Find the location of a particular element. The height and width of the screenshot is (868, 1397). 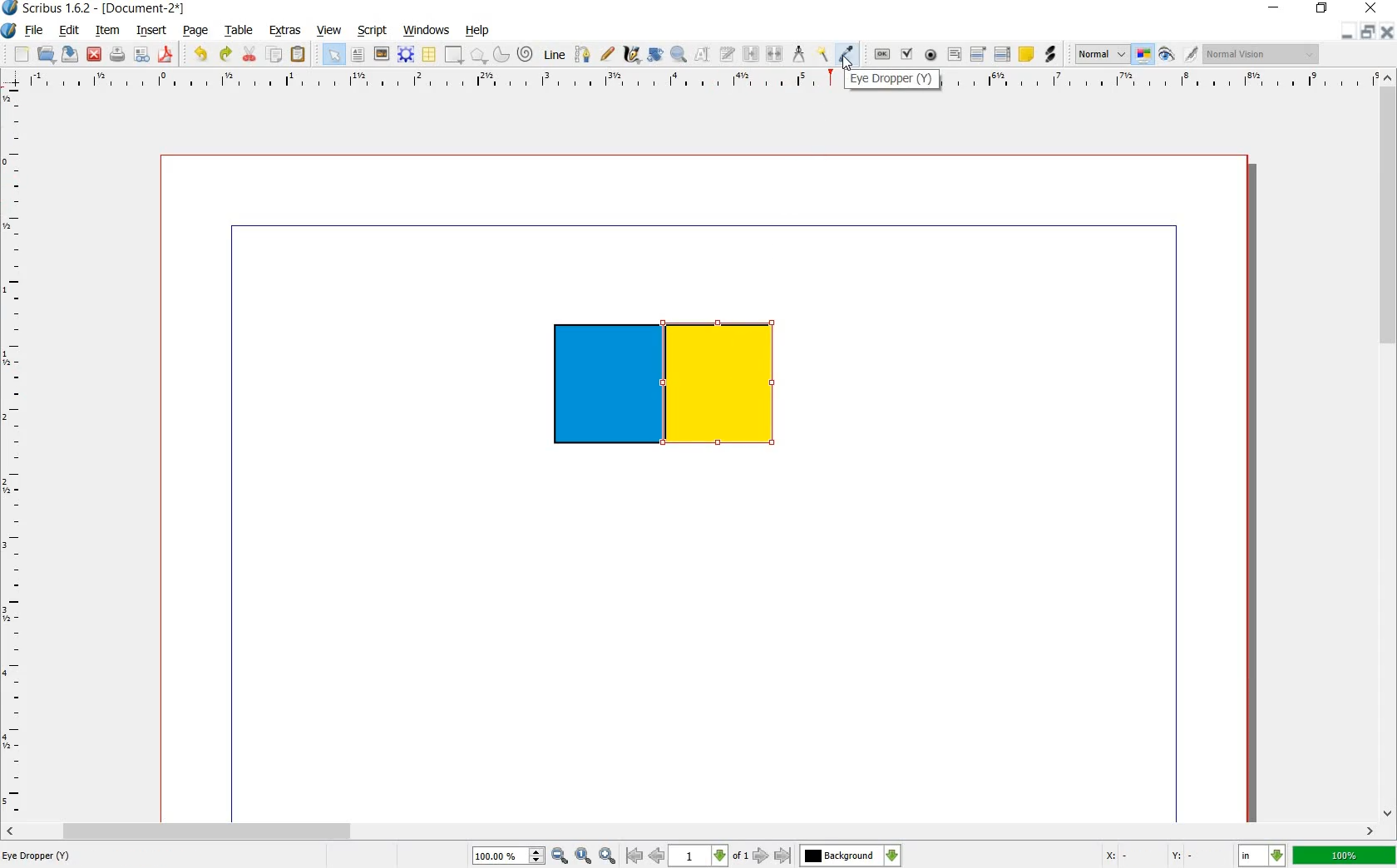

text annotation is located at coordinates (1028, 55).